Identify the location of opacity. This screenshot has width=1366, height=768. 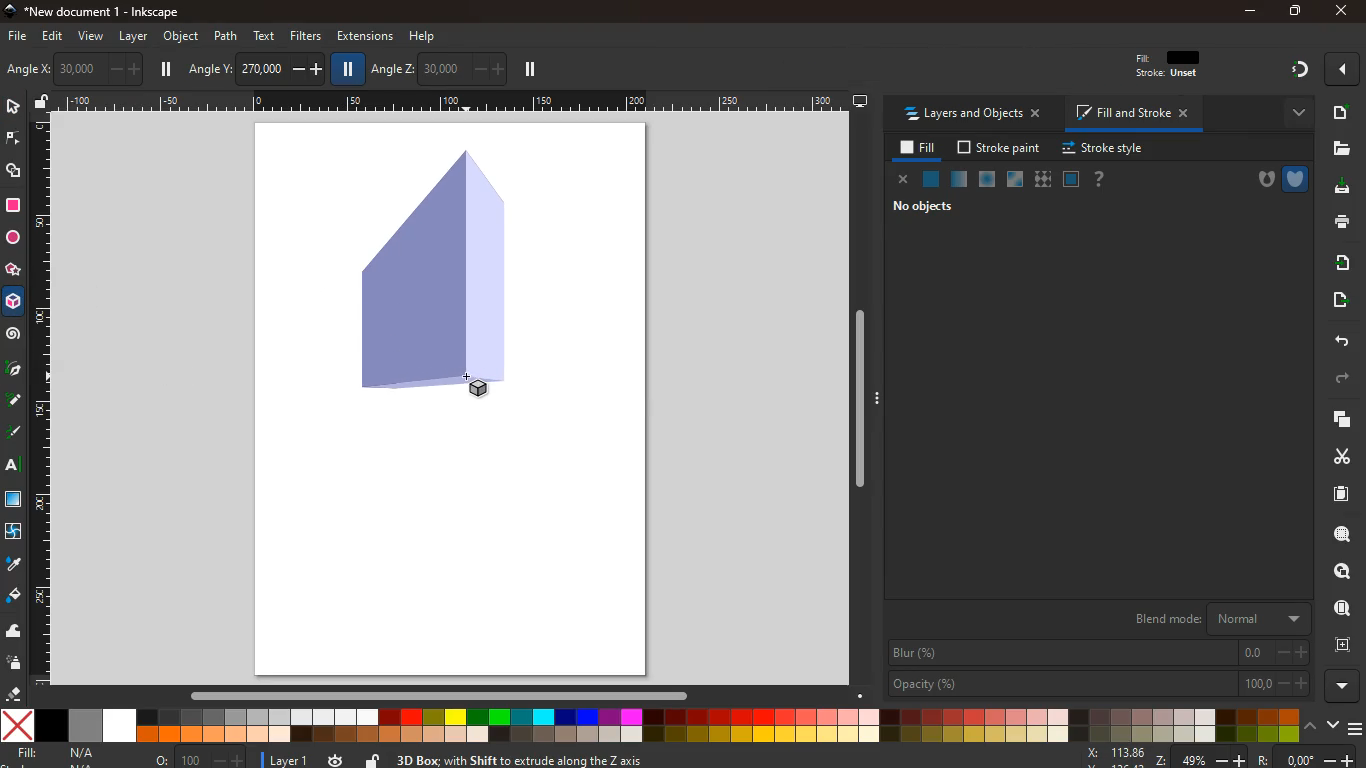
(957, 180).